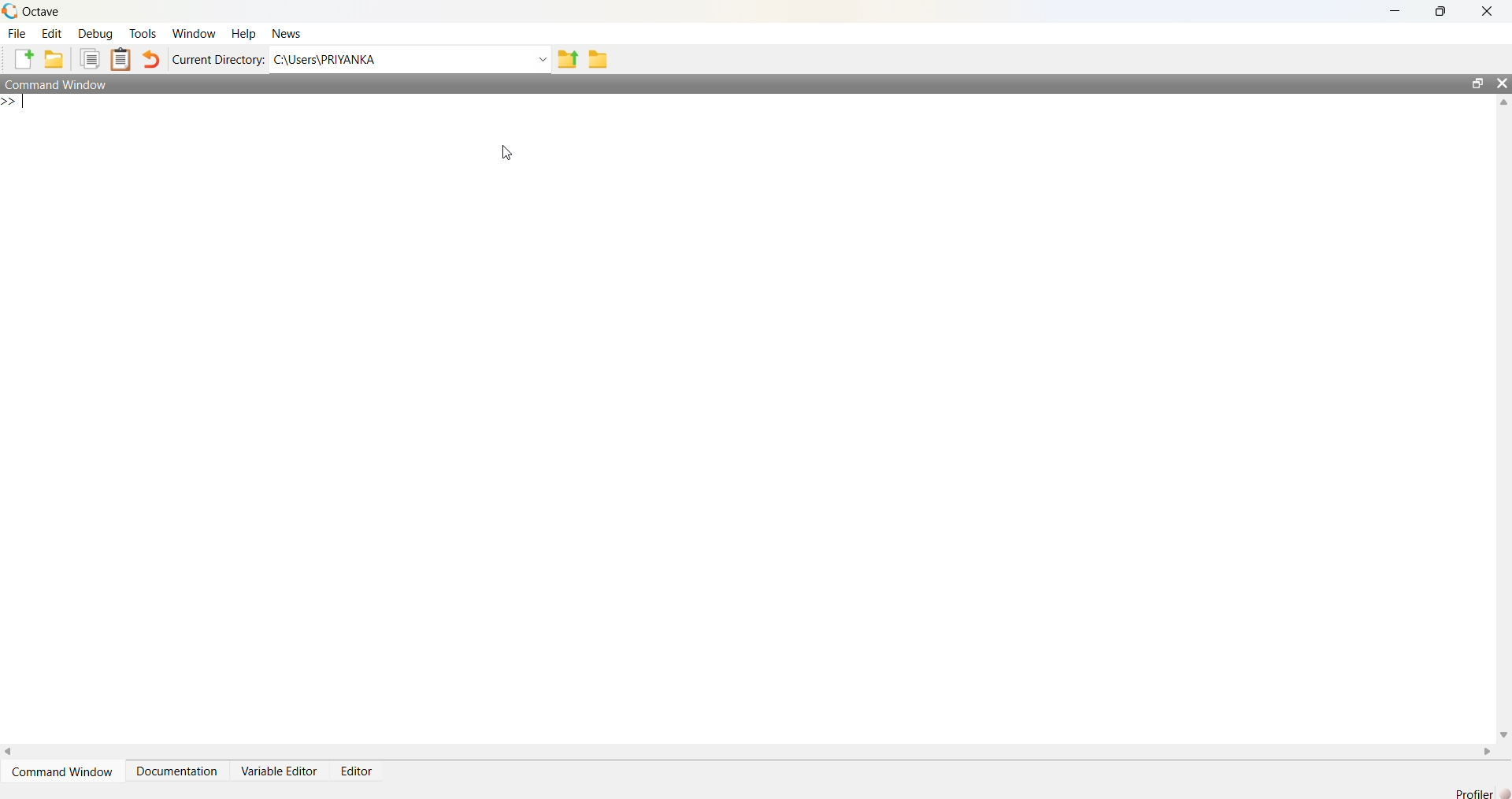 This screenshot has height=799, width=1512. What do you see at coordinates (1489, 749) in the screenshot?
I see `Right` at bounding box center [1489, 749].